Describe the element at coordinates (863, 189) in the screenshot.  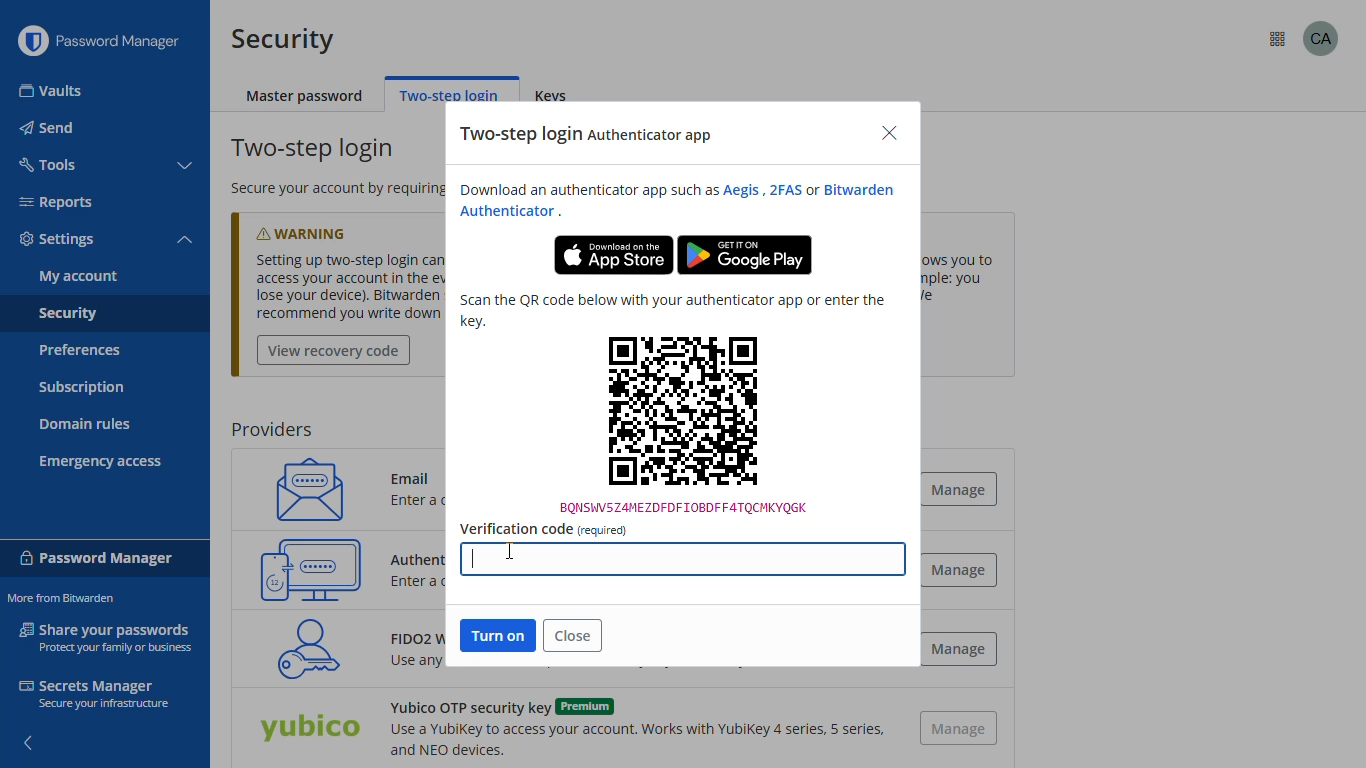
I see `Bitwarden` at that location.